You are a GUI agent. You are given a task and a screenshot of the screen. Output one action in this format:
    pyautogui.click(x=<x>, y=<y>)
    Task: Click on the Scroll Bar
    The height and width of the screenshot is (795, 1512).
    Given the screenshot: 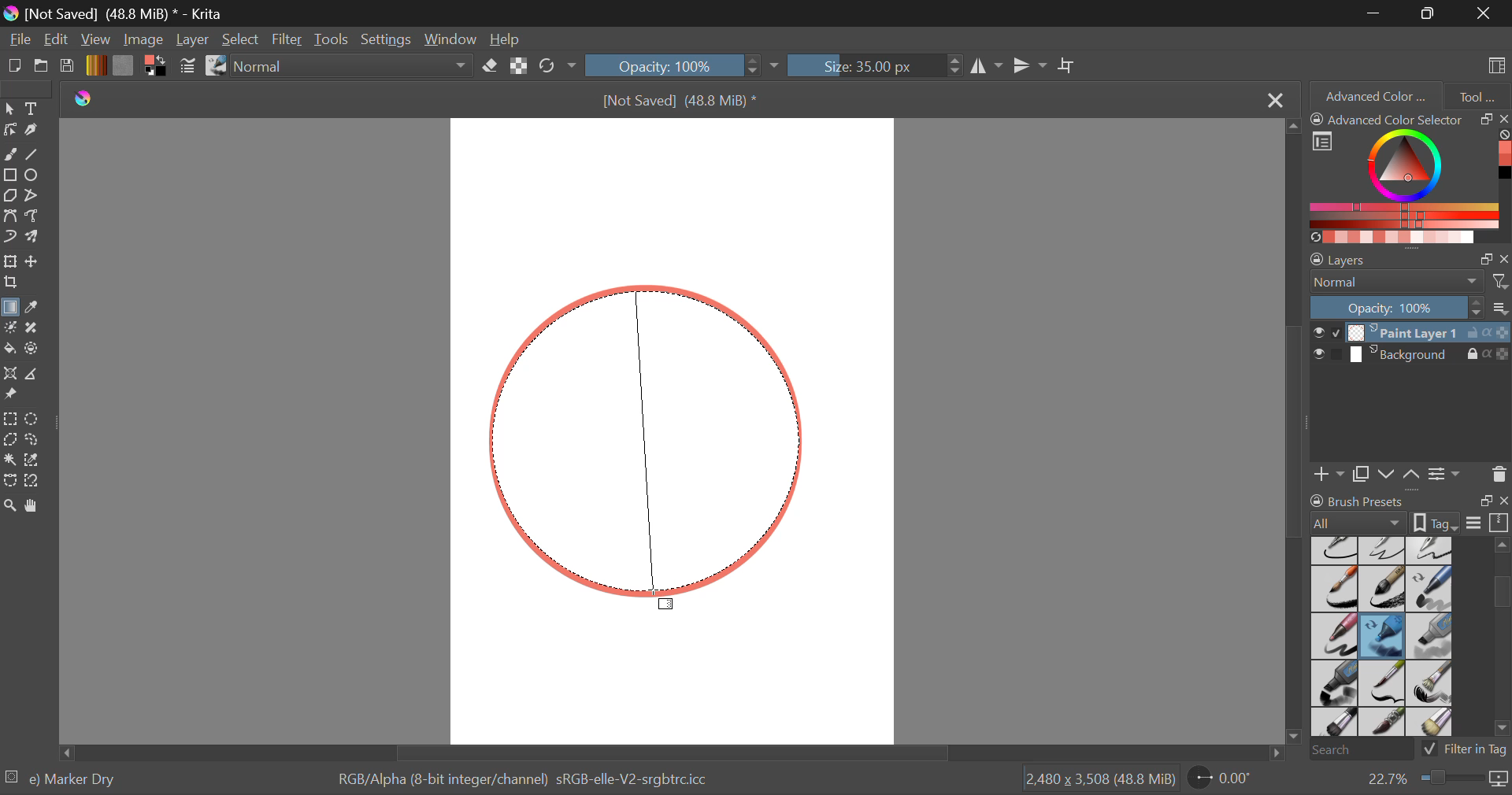 What is the action you would take?
    pyautogui.click(x=668, y=752)
    